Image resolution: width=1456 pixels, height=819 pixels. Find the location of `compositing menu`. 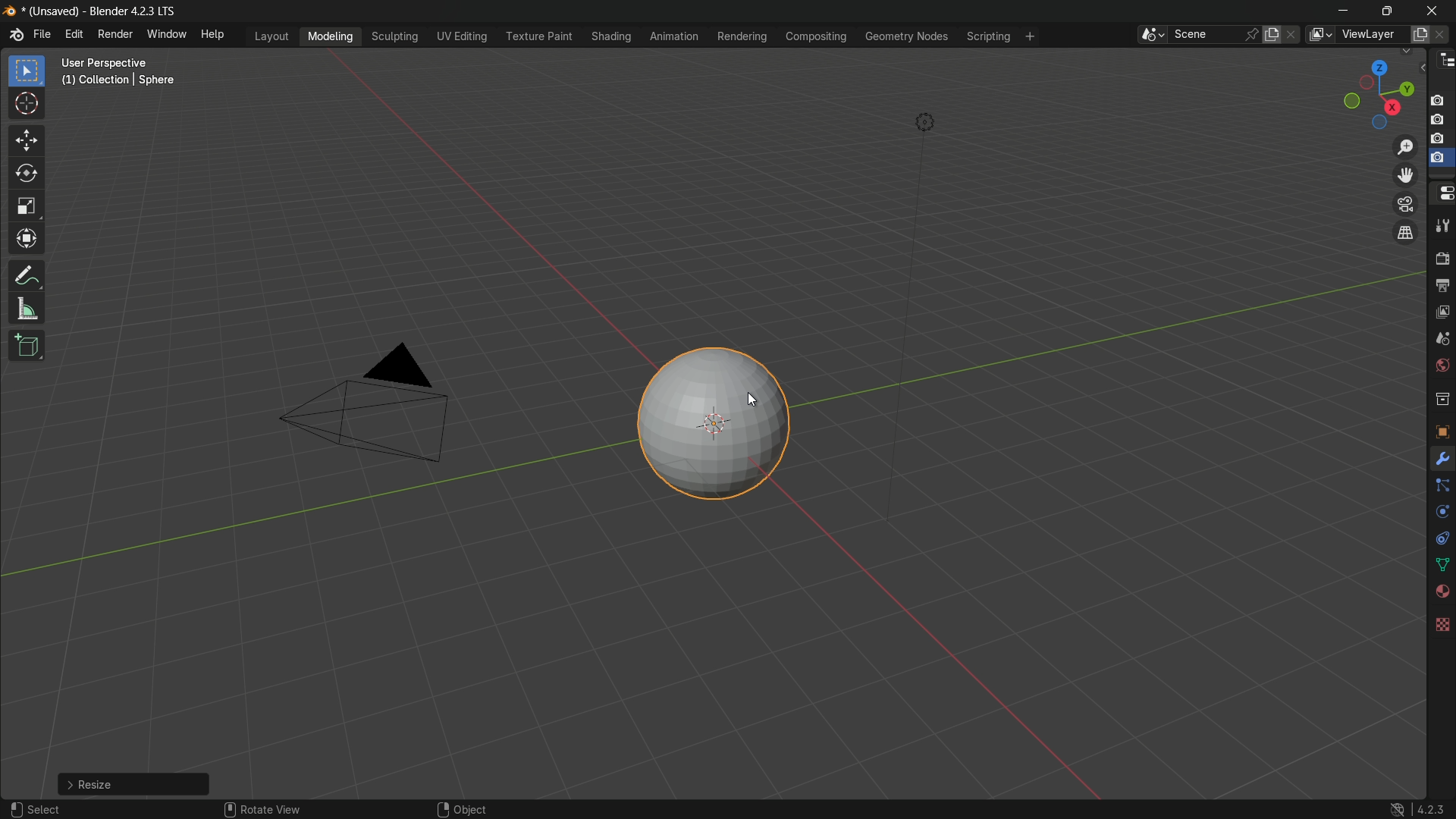

compositing menu is located at coordinates (817, 37).